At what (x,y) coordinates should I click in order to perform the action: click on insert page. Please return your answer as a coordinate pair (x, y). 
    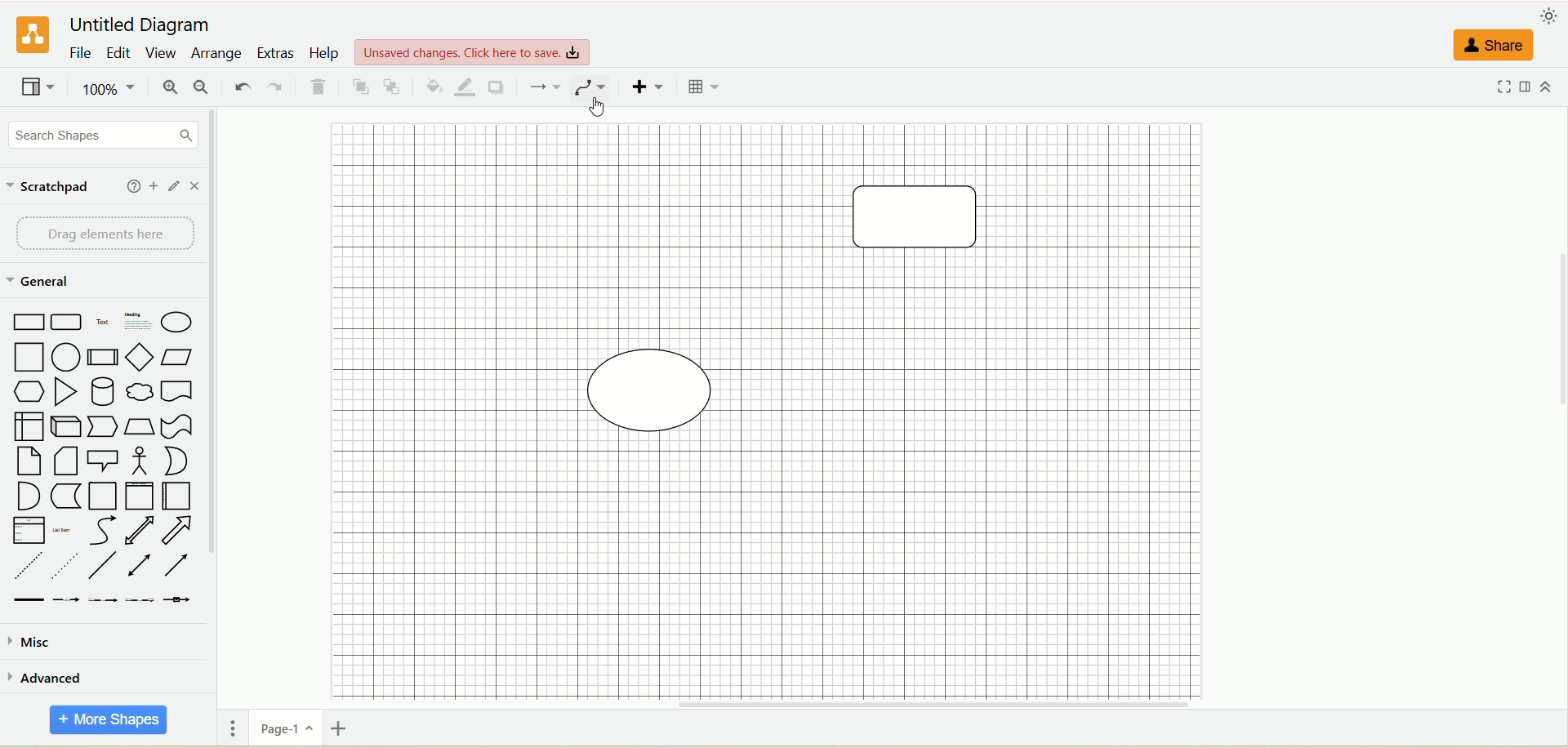
    Looking at the image, I should click on (346, 730).